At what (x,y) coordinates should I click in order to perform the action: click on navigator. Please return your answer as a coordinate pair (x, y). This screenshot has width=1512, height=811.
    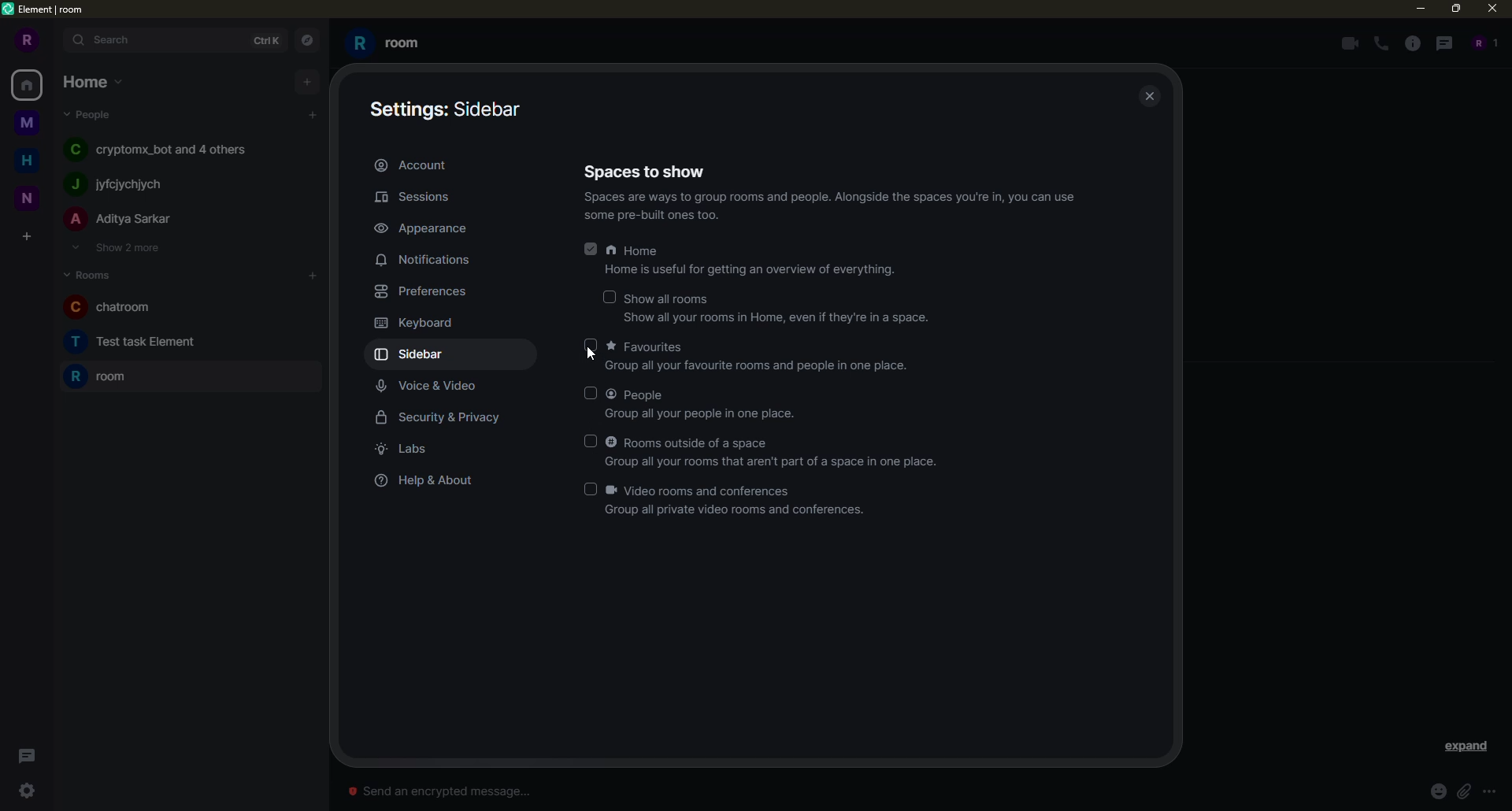
    Looking at the image, I should click on (305, 40).